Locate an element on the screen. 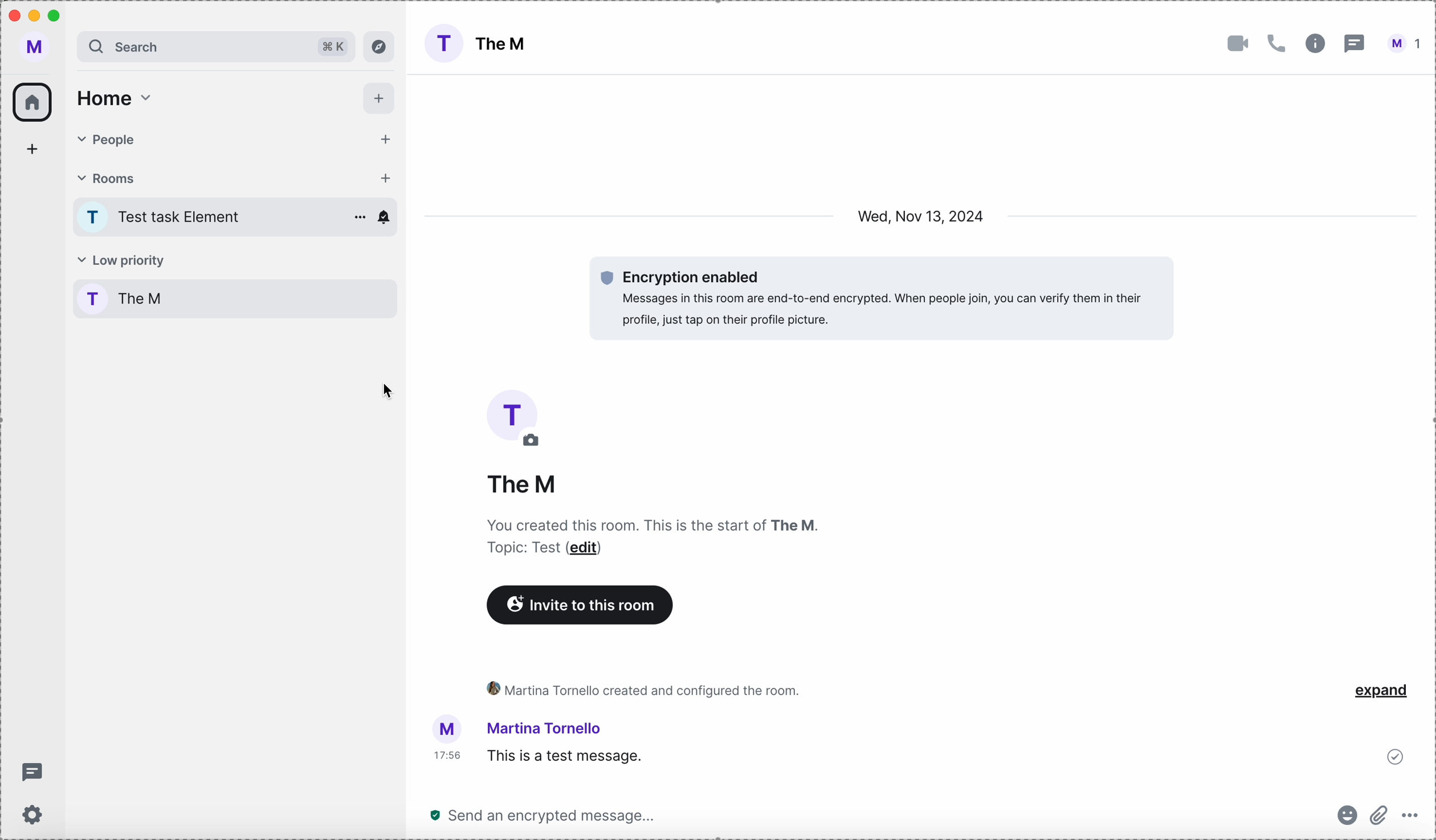  picture profile is located at coordinates (447, 728).